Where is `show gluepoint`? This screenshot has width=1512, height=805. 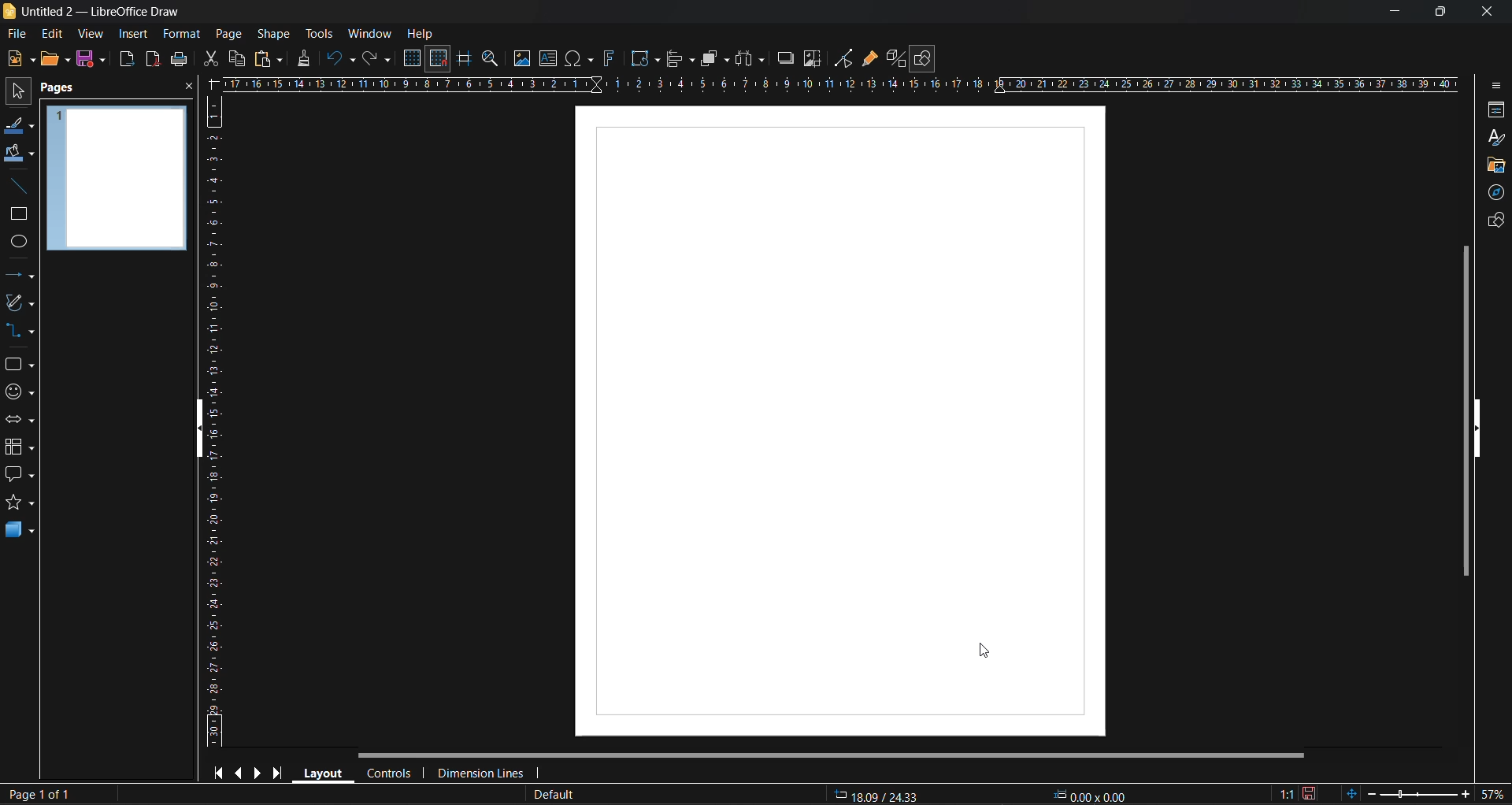 show gluepoint is located at coordinates (869, 61).